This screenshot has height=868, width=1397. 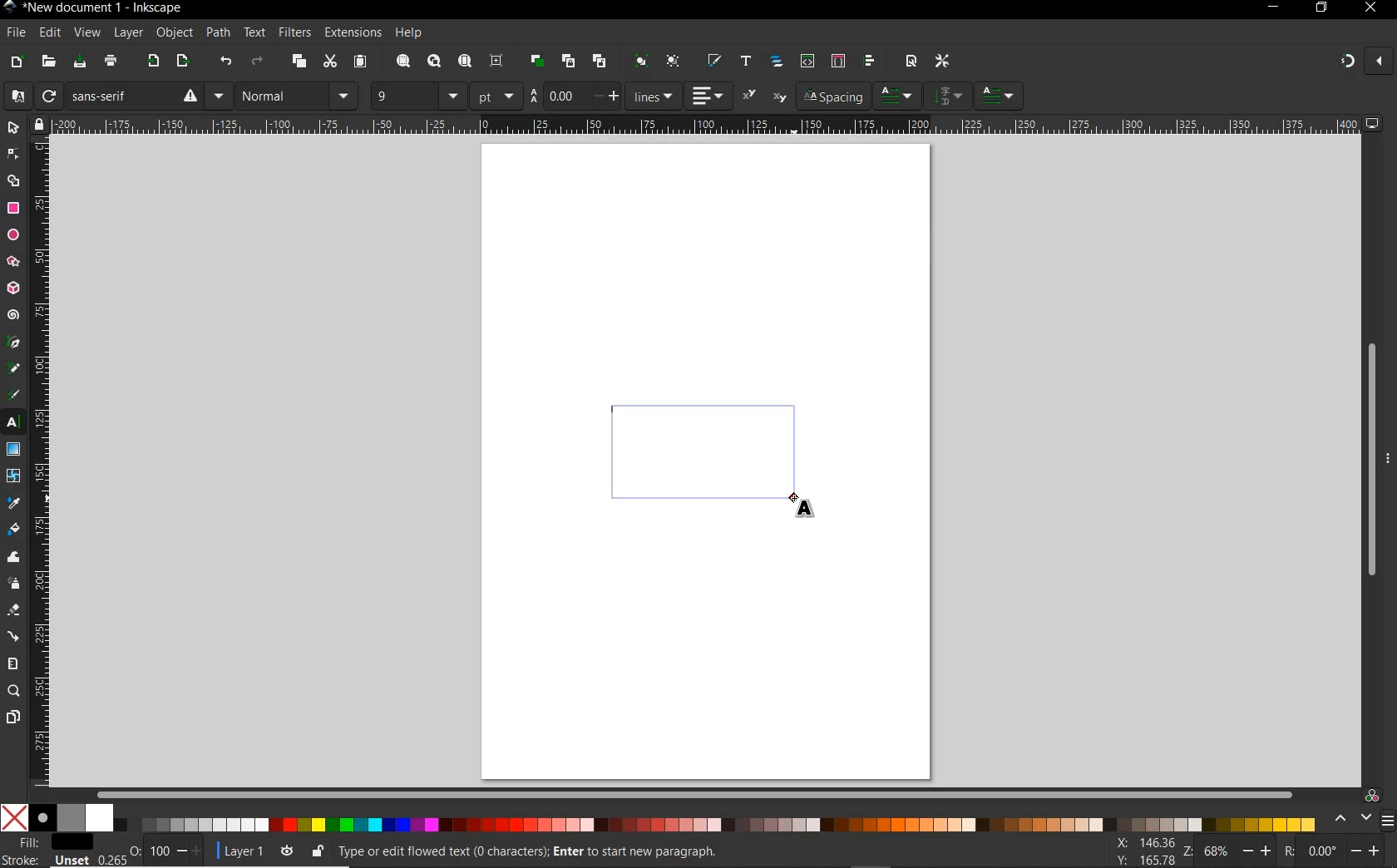 I want to click on 0, so click(x=134, y=848).